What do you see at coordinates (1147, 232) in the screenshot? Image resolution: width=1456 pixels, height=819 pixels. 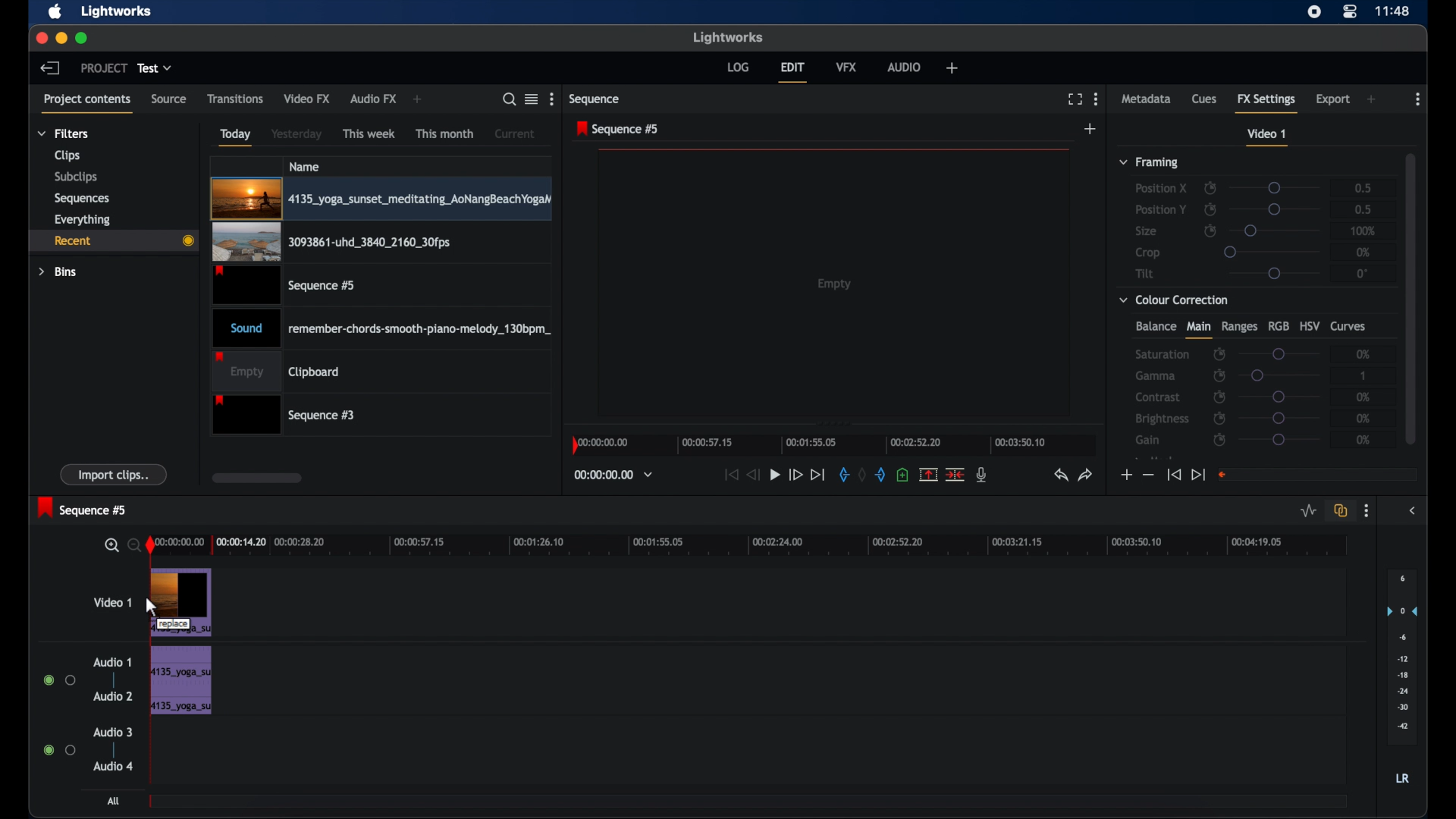 I see `size` at bounding box center [1147, 232].